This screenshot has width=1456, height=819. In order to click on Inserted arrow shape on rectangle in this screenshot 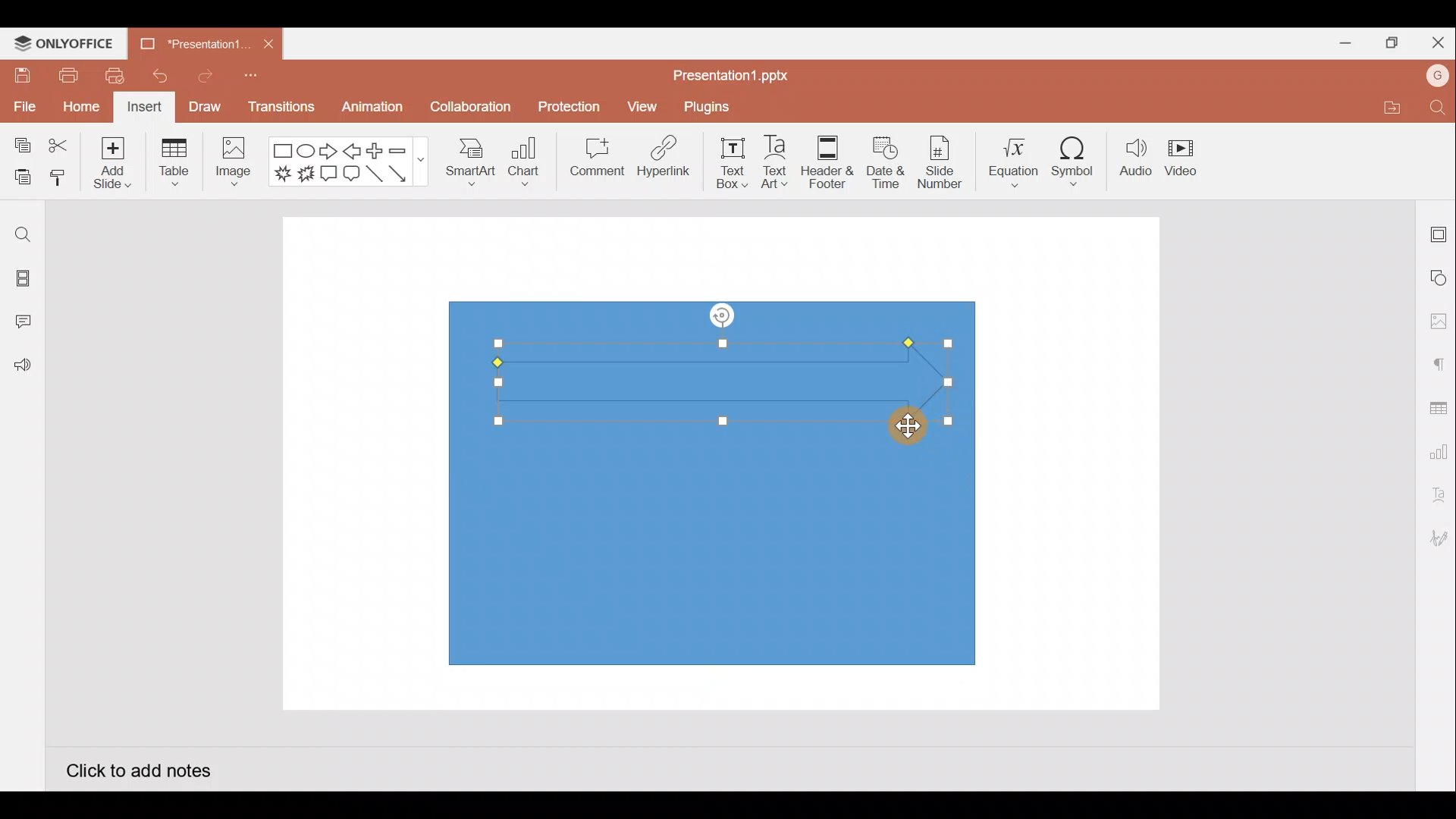, I will do `click(716, 372)`.